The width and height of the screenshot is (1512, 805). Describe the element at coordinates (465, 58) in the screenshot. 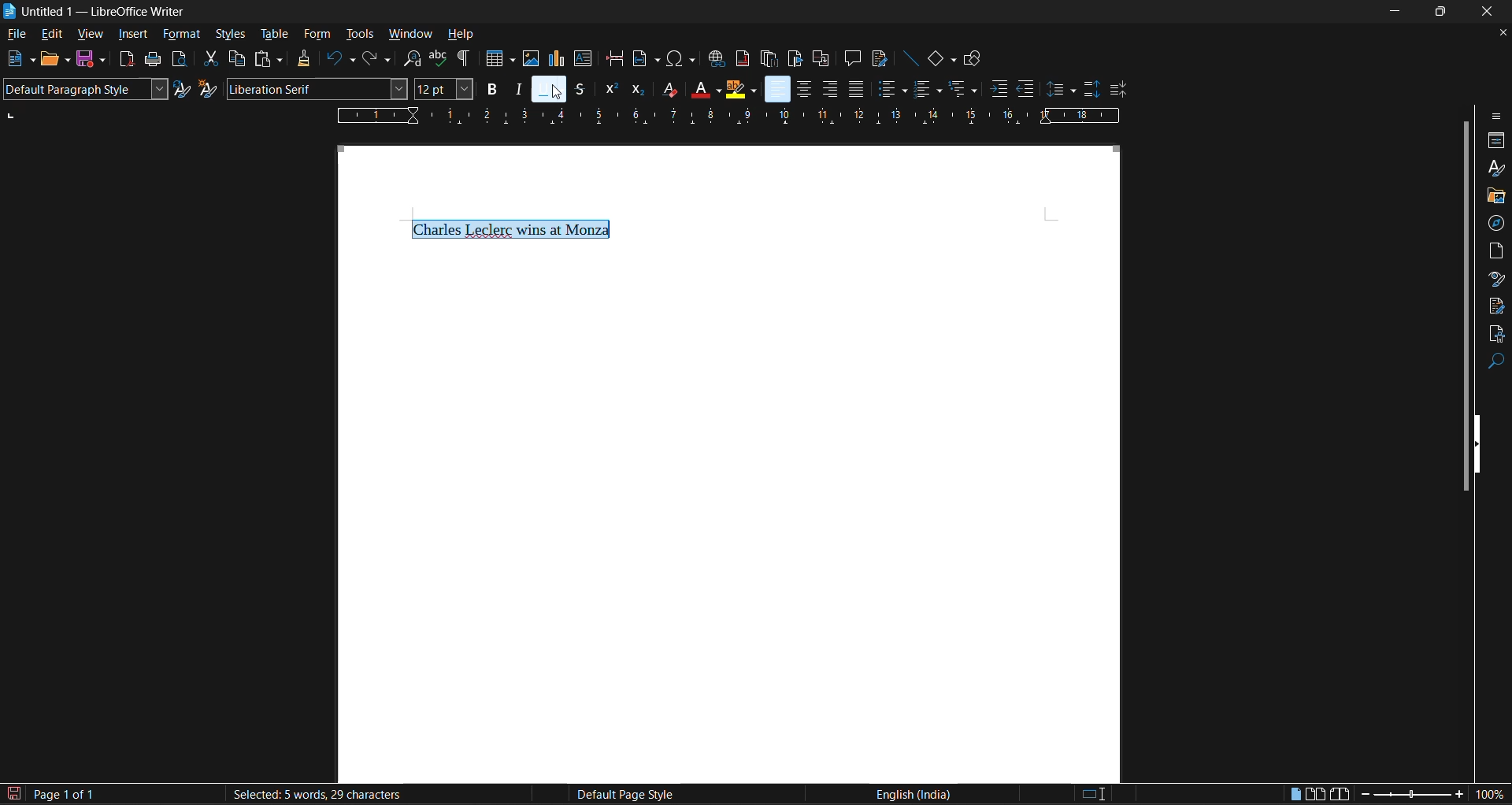

I see `toggle formatting marks` at that location.